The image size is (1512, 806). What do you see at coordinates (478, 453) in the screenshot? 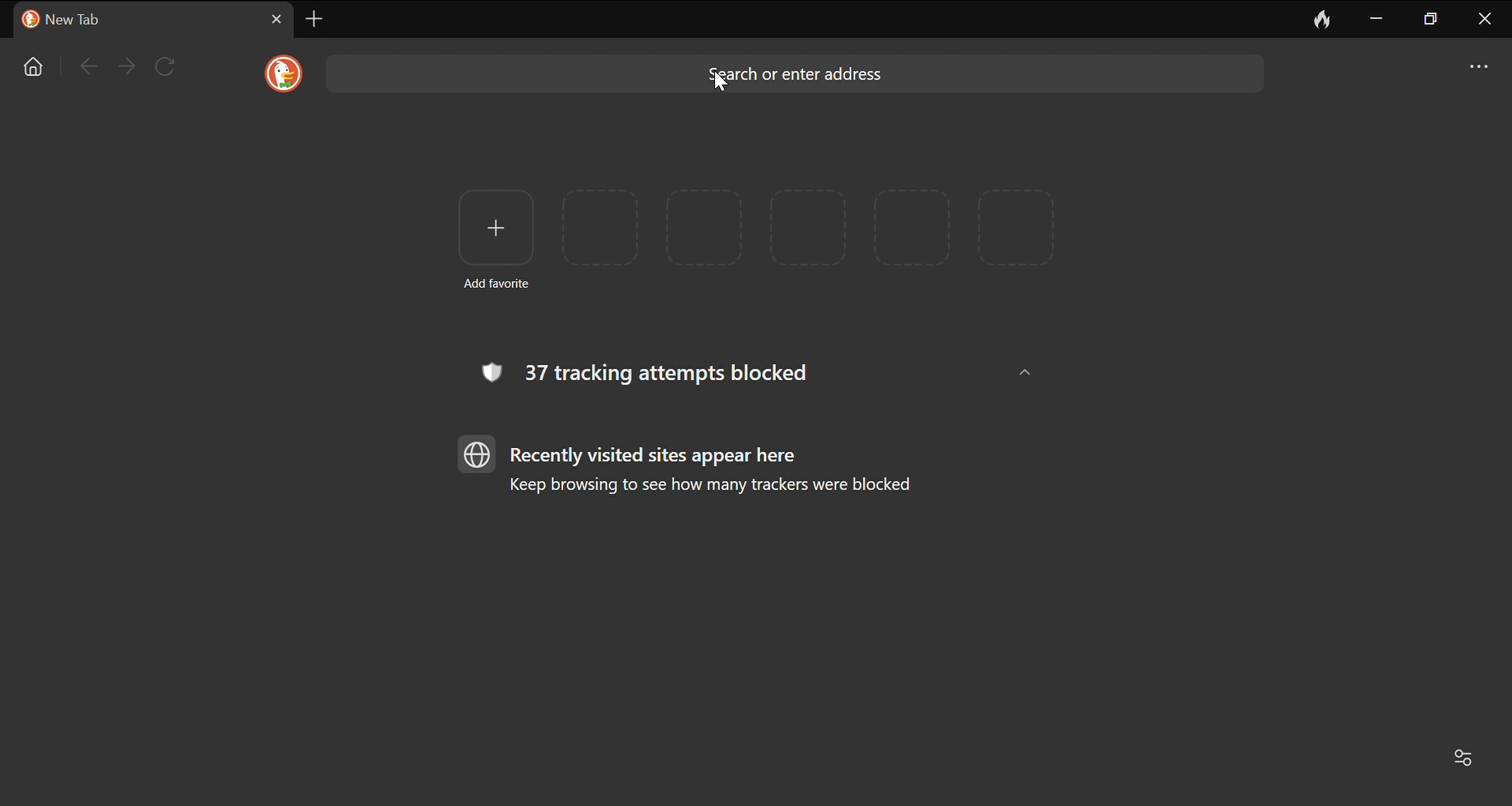
I see `browser logo` at bounding box center [478, 453].